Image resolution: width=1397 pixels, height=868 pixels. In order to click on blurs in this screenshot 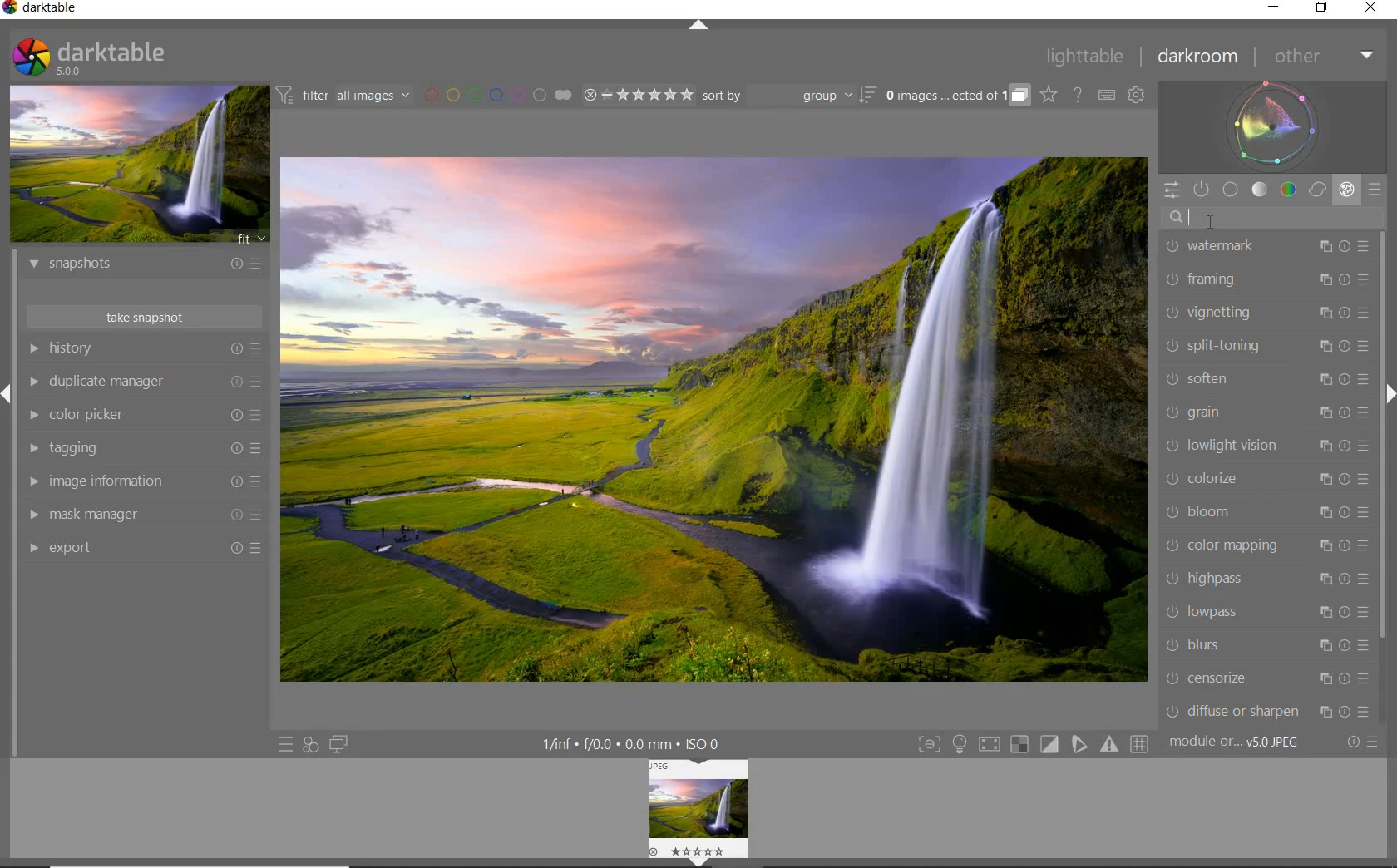, I will do `click(1265, 646)`.